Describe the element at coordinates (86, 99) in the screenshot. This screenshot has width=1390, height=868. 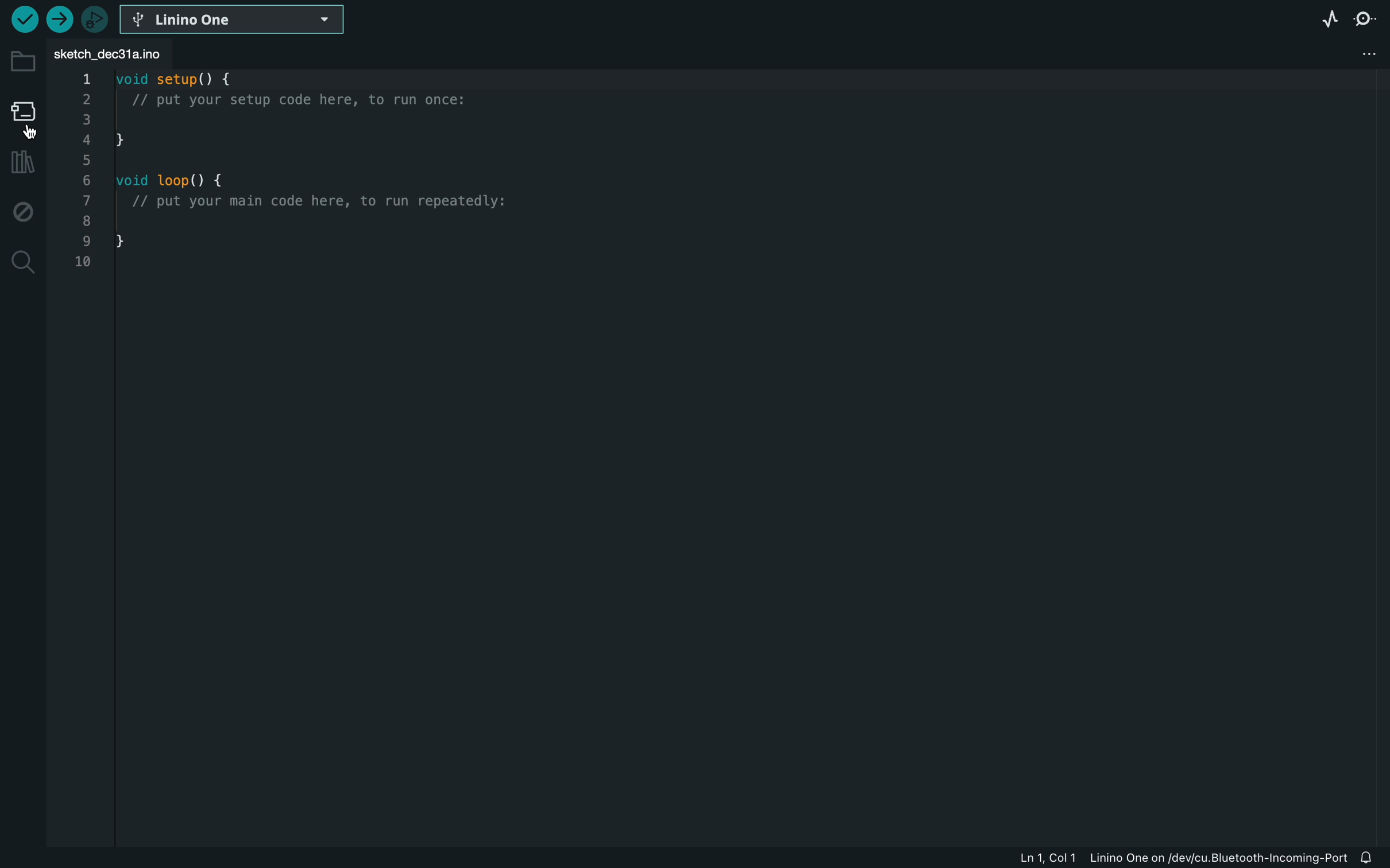
I see `2` at that location.